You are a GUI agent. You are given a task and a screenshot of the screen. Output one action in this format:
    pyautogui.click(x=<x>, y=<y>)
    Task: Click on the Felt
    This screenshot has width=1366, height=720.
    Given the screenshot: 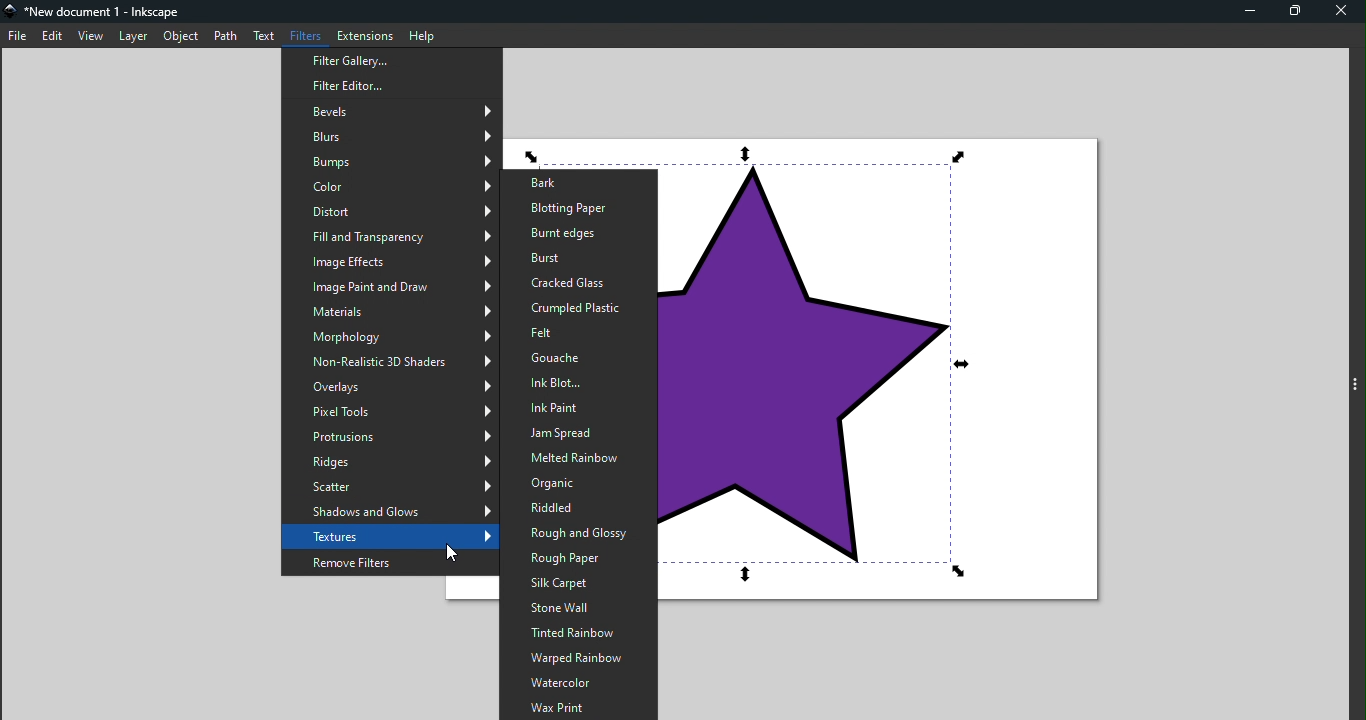 What is the action you would take?
    pyautogui.click(x=579, y=334)
    